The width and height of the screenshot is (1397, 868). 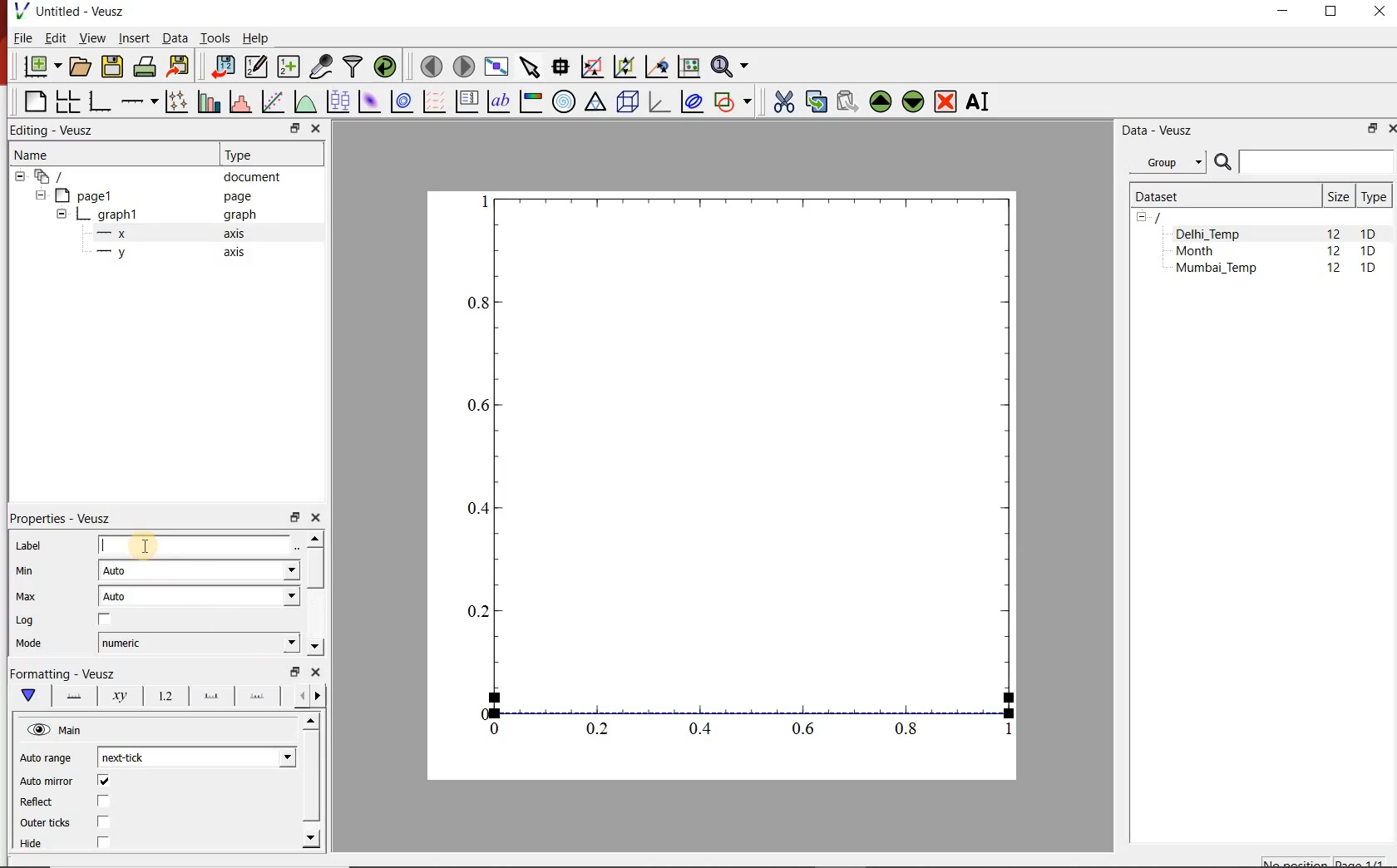 I want to click on RESTORE, so click(x=1373, y=129).